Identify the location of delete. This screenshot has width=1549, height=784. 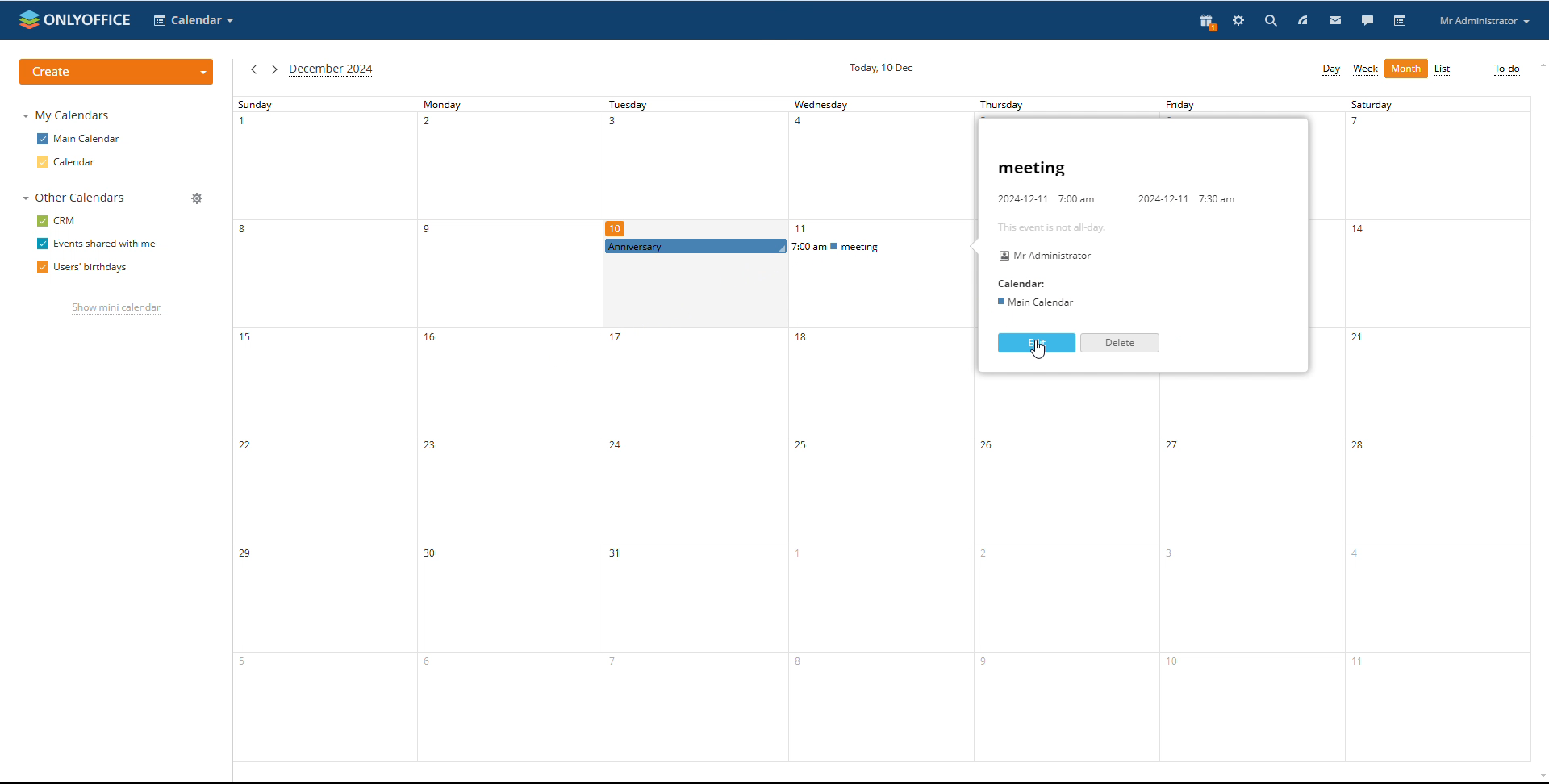
(1119, 343).